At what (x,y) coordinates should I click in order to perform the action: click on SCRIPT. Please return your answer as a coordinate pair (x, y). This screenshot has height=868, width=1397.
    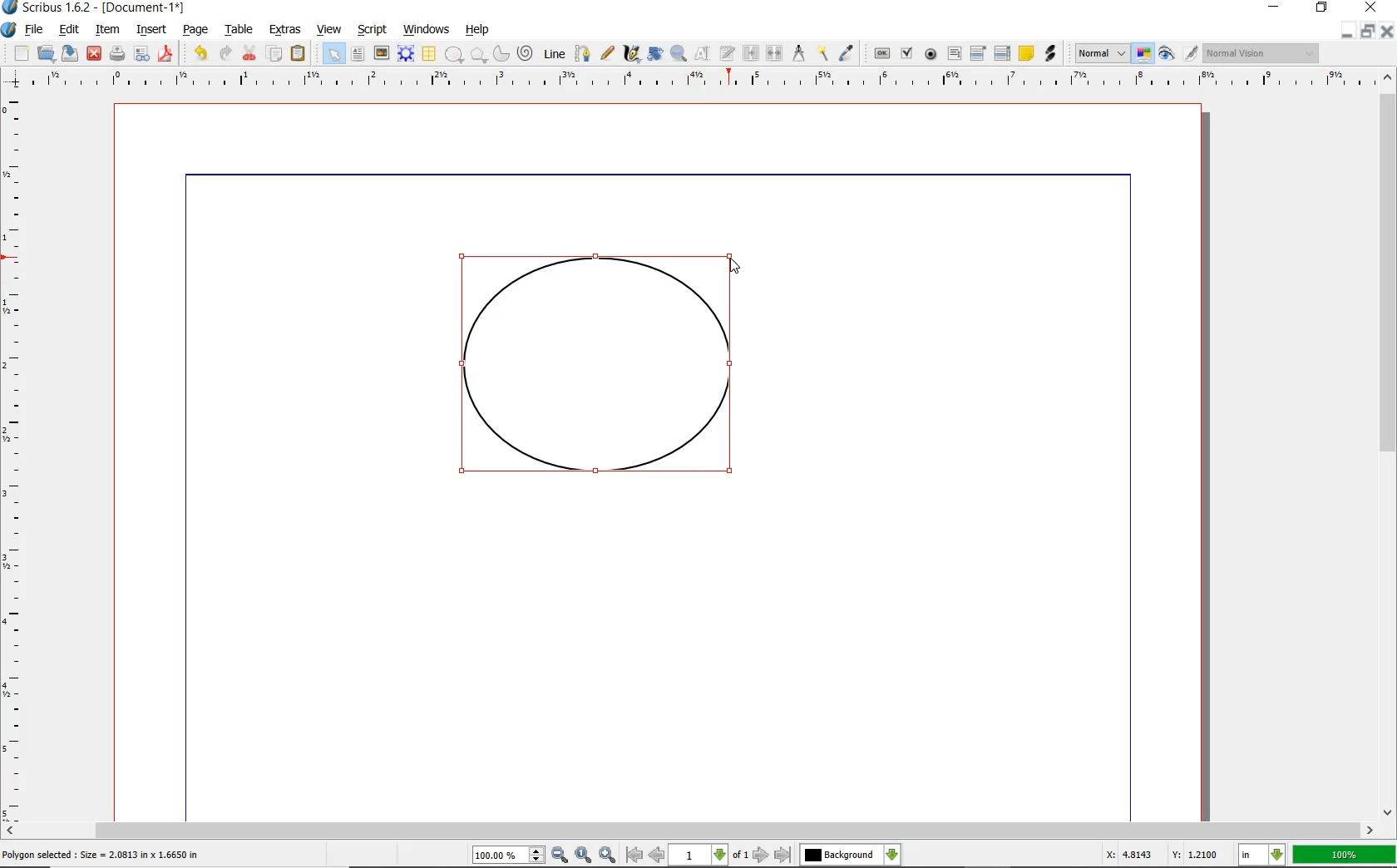
    Looking at the image, I should click on (370, 28).